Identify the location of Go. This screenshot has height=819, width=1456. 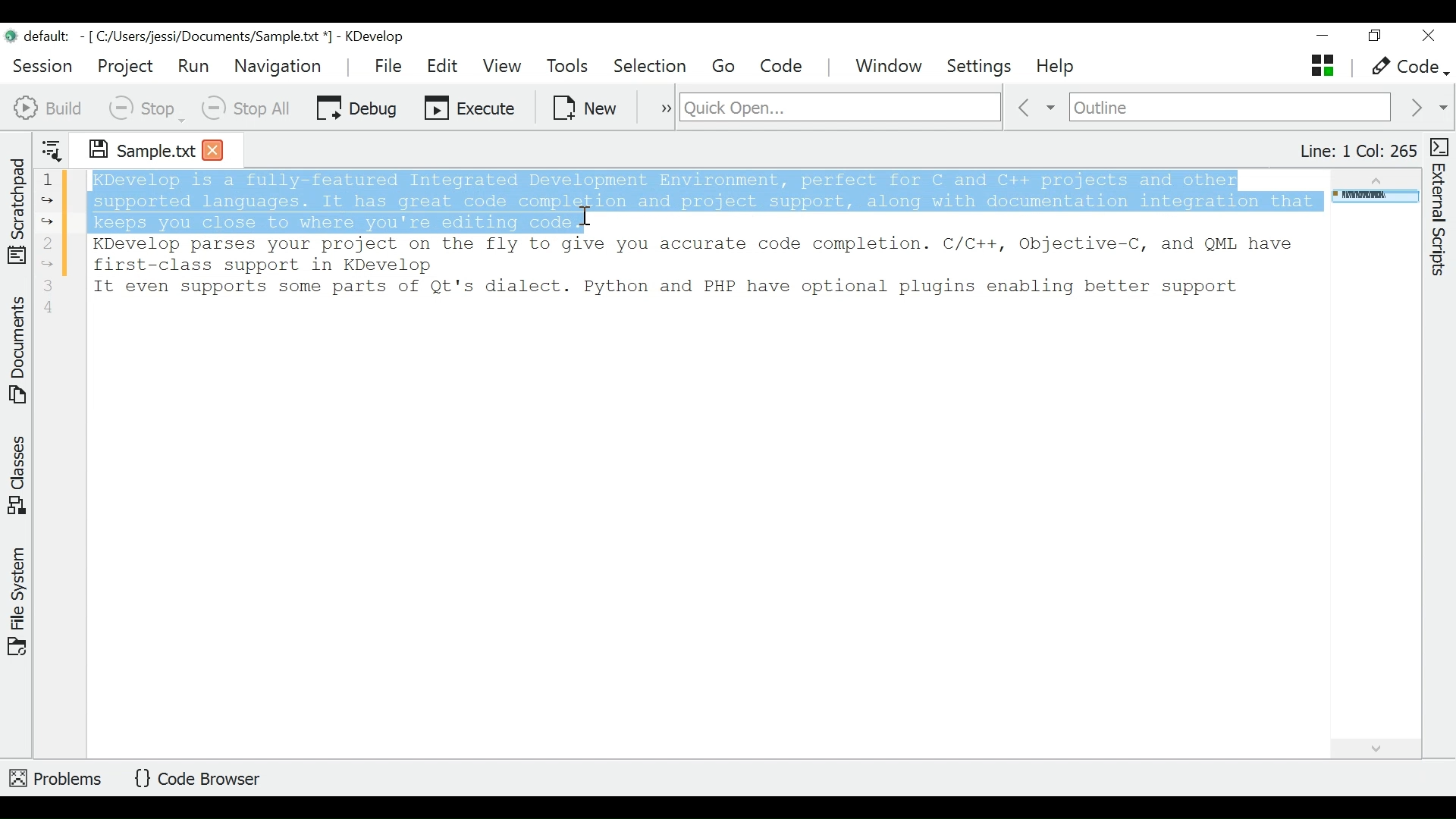
(726, 67).